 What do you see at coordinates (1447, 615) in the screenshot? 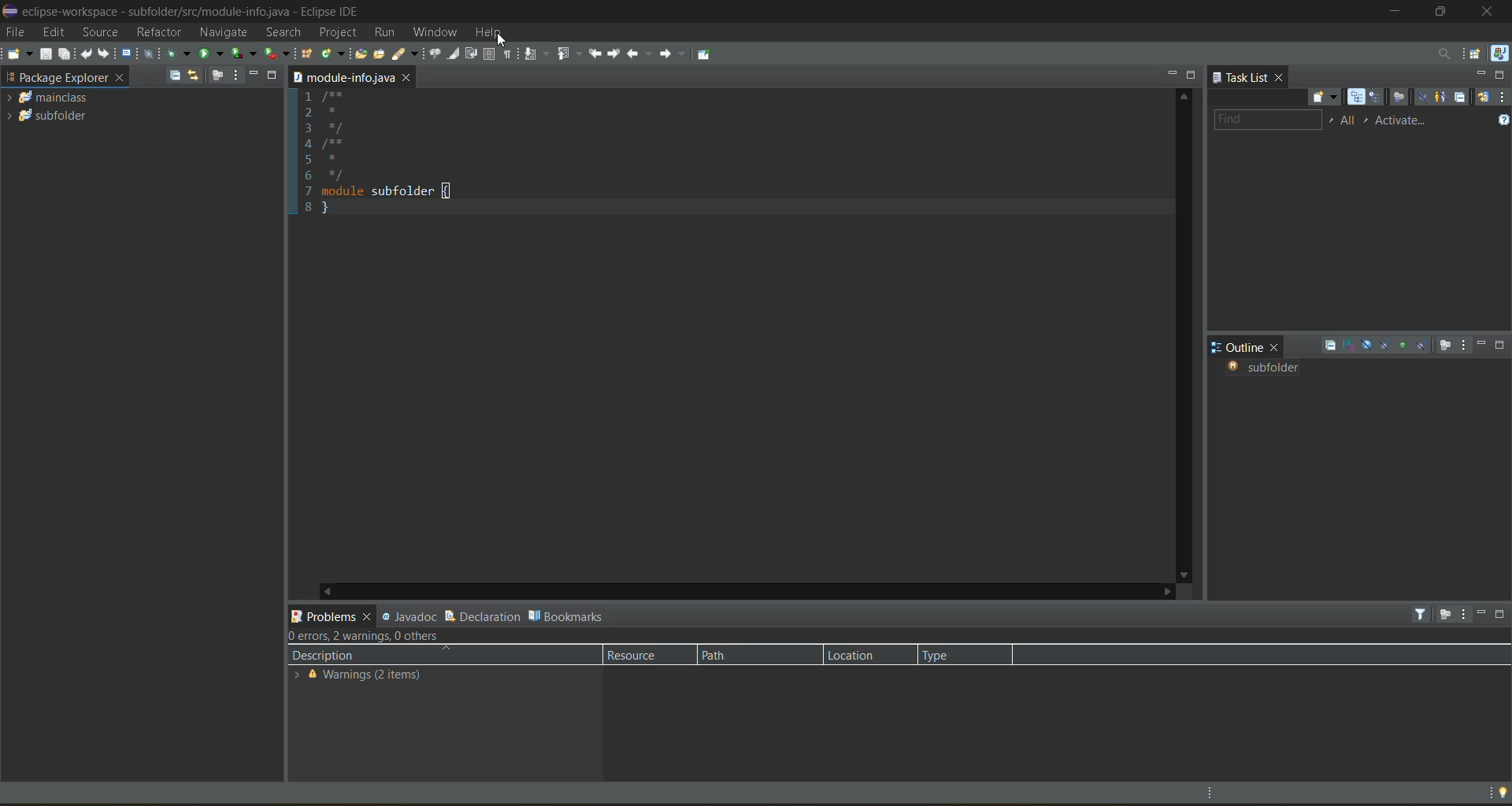
I see `focus on active task` at bounding box center [1447, 615].